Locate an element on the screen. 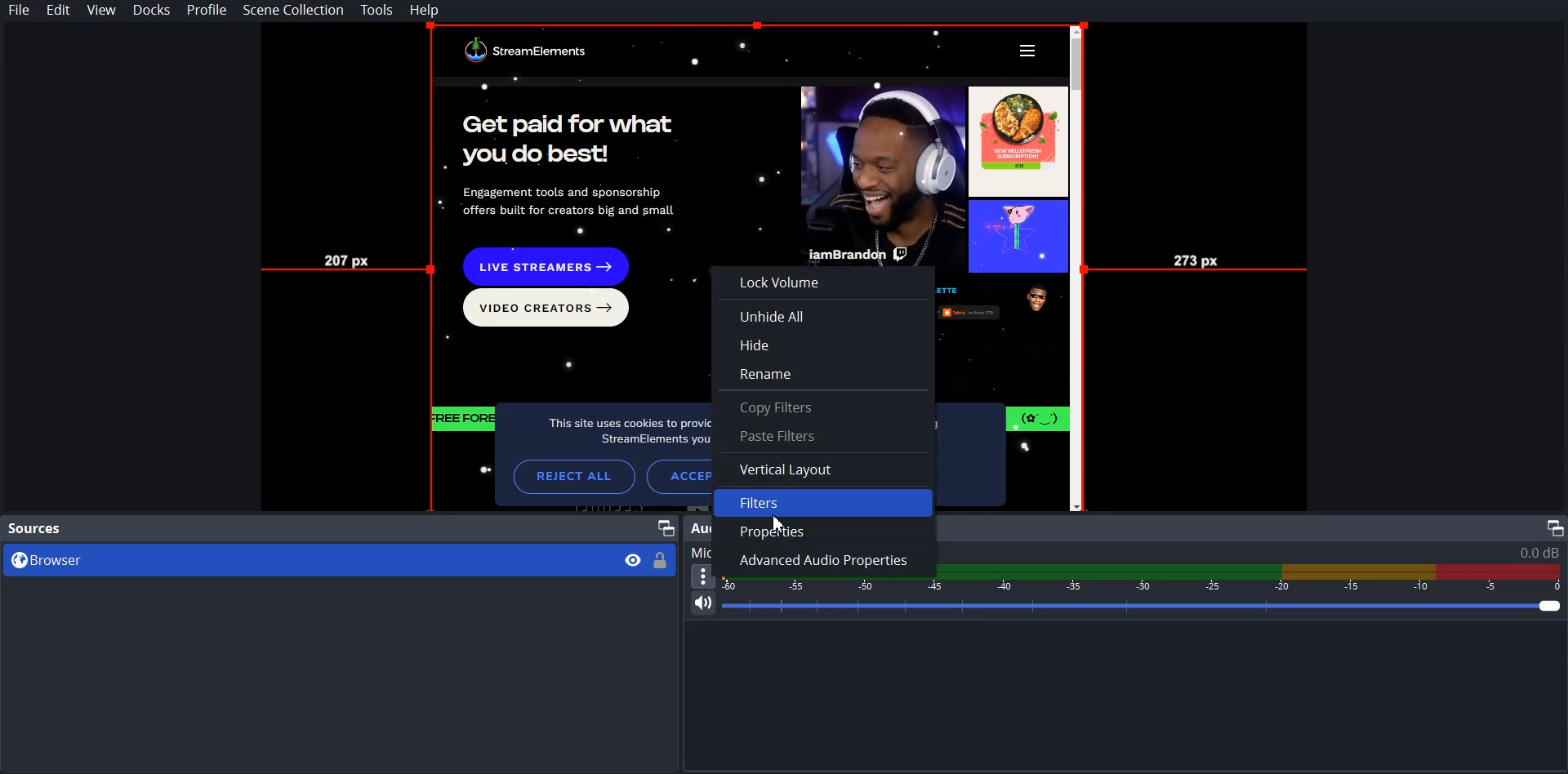 The width and height of the screenshot is (1568, 774). Advanced Audio Properties is located at coordinates (822, 562).